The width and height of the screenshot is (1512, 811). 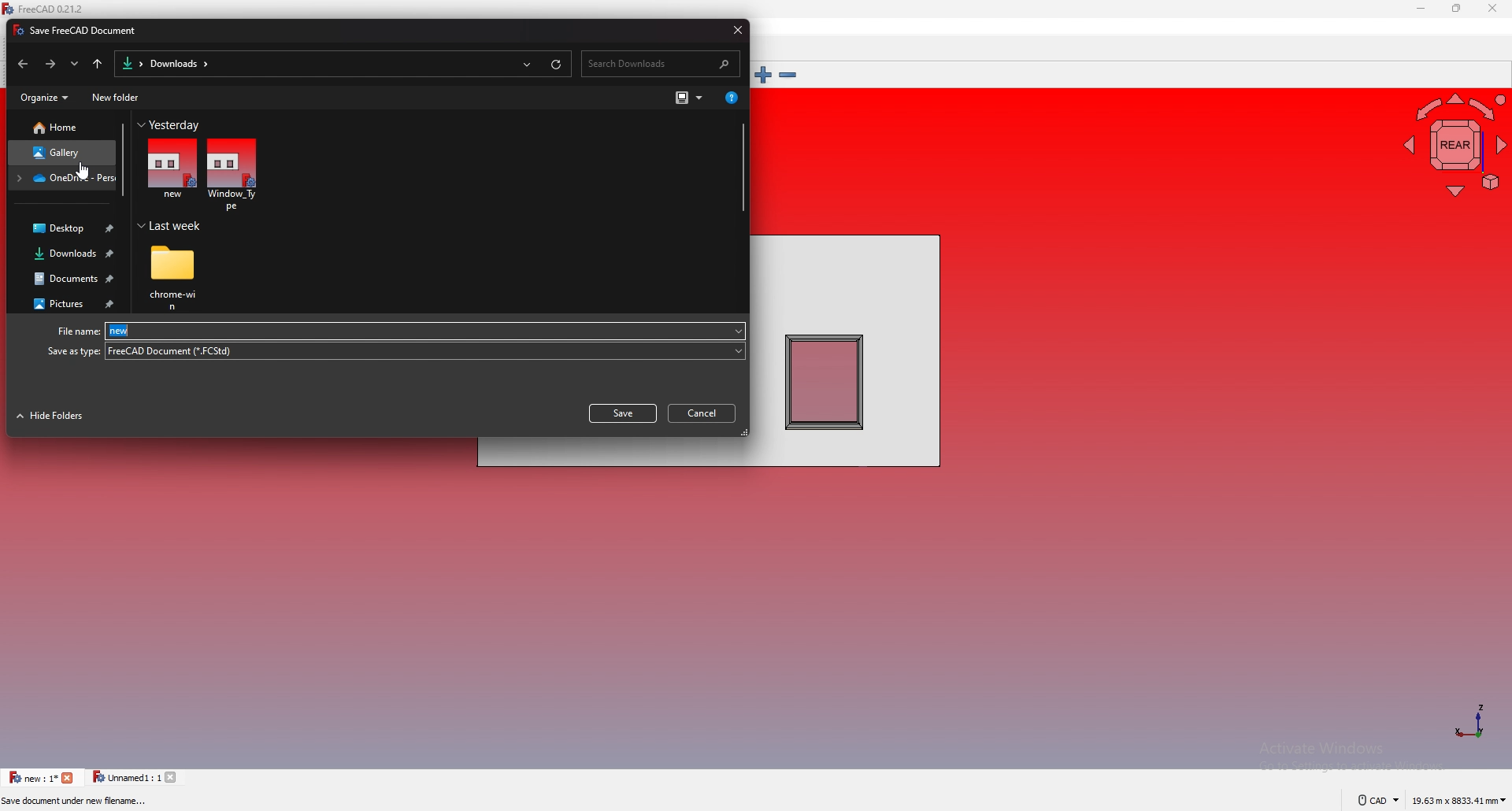 What do you see at coordinates (67, 254) in the screenshot?
I see `downloads` at bounding box center [67, 254].